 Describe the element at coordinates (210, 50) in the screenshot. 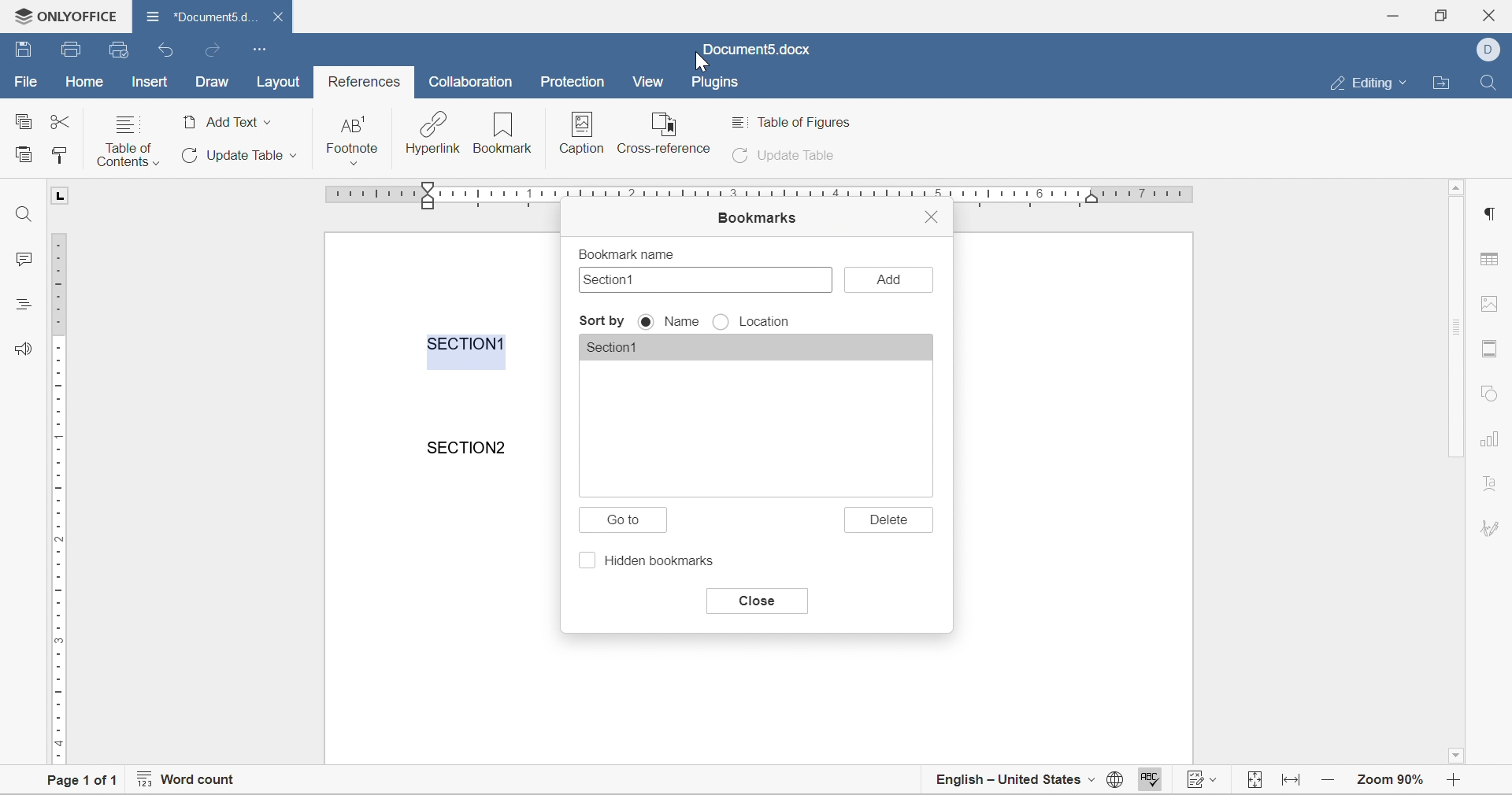

I see `redo` at that location.